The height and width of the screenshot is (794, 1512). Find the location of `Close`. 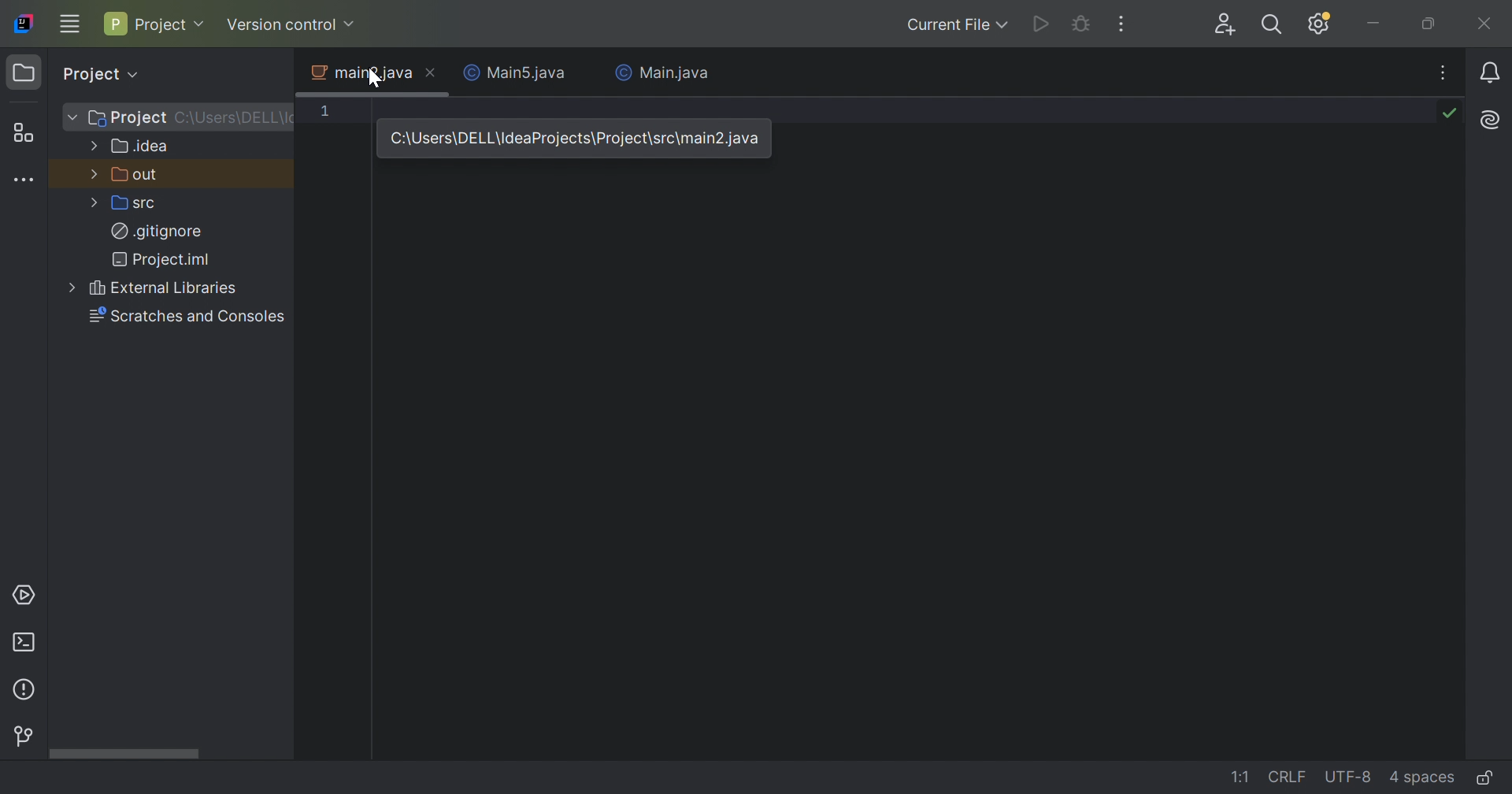

Close is located at coordinates (433, 72).